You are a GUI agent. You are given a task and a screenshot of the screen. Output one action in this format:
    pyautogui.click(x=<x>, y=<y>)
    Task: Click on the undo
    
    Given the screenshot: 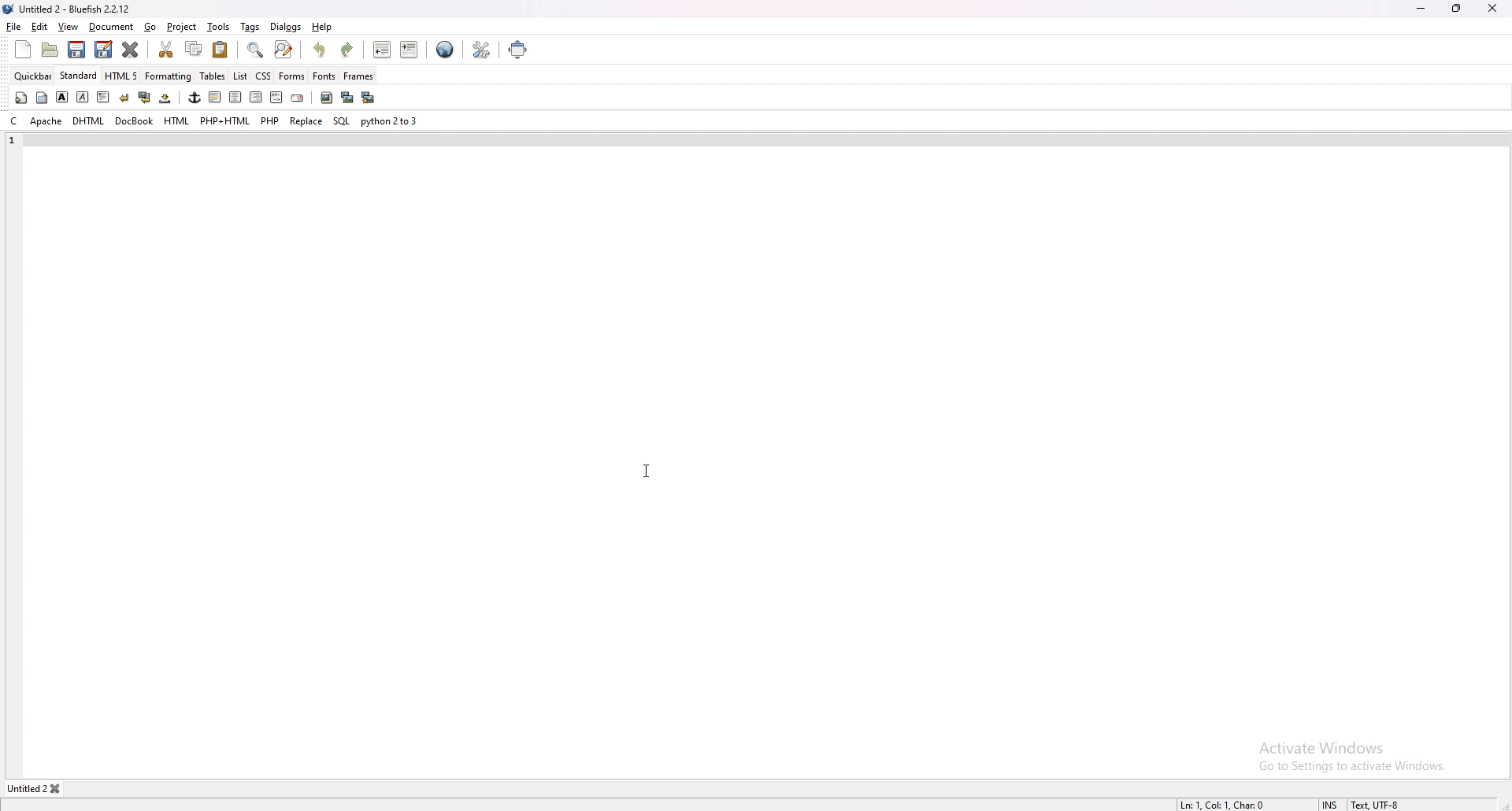 What is the action you would take?
    pyautogui.click(x=321, y=49)
    